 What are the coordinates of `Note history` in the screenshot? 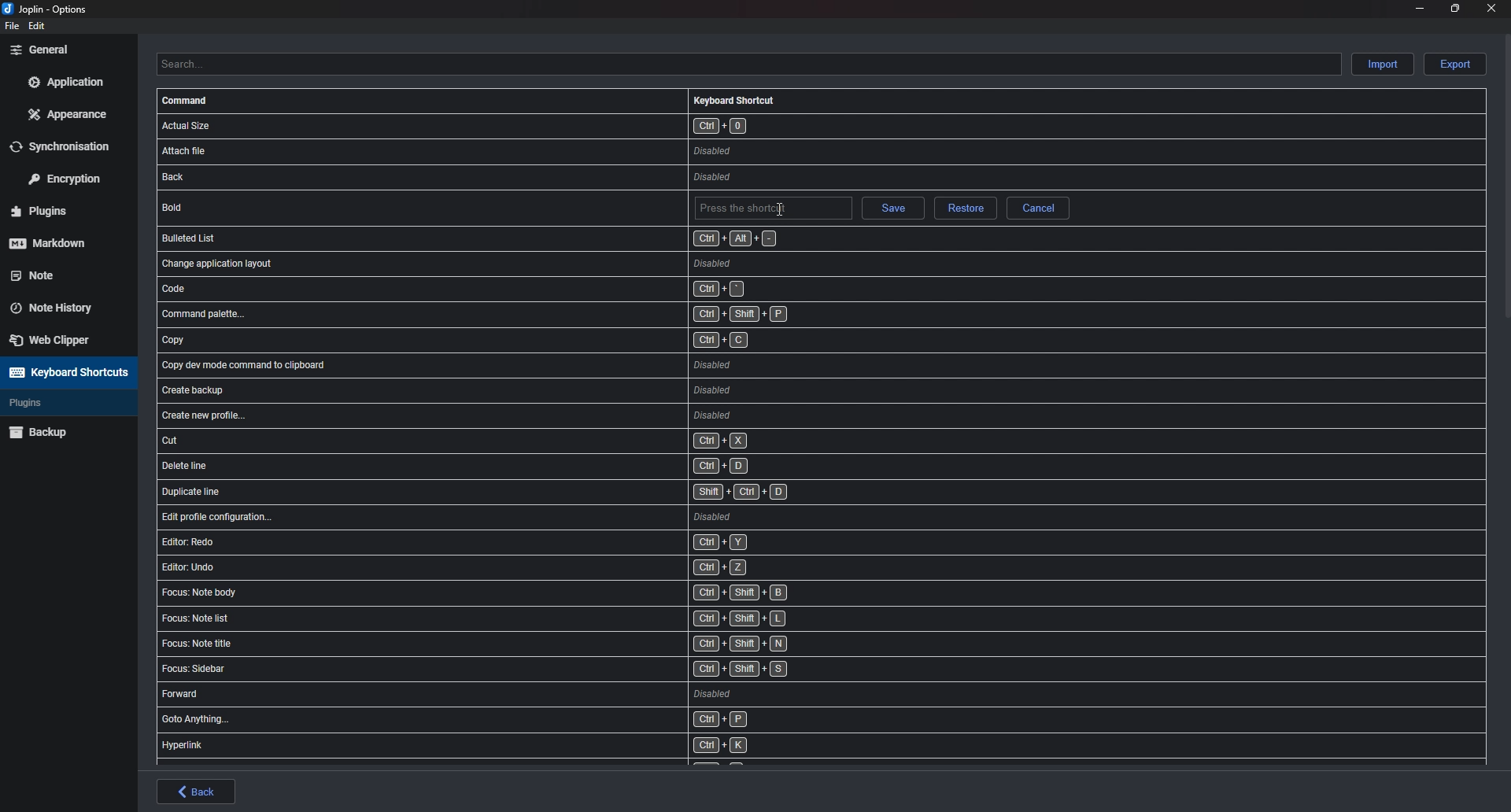 It's located at (60, 303).